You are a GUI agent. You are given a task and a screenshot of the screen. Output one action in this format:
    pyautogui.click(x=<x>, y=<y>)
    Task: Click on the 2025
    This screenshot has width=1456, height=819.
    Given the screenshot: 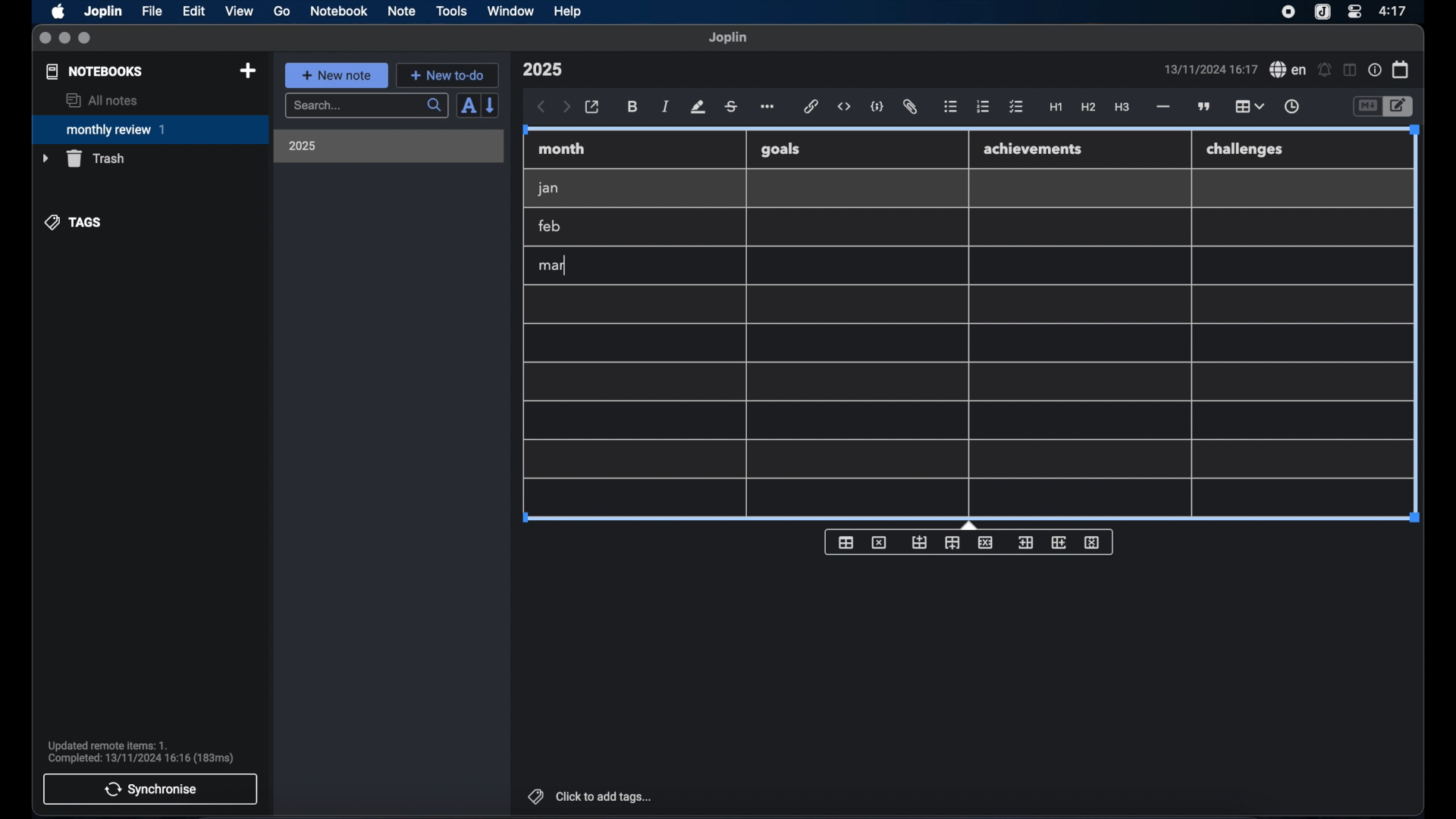 What is the action you would take?
    pyautogui.click(x=303, y=146)
    